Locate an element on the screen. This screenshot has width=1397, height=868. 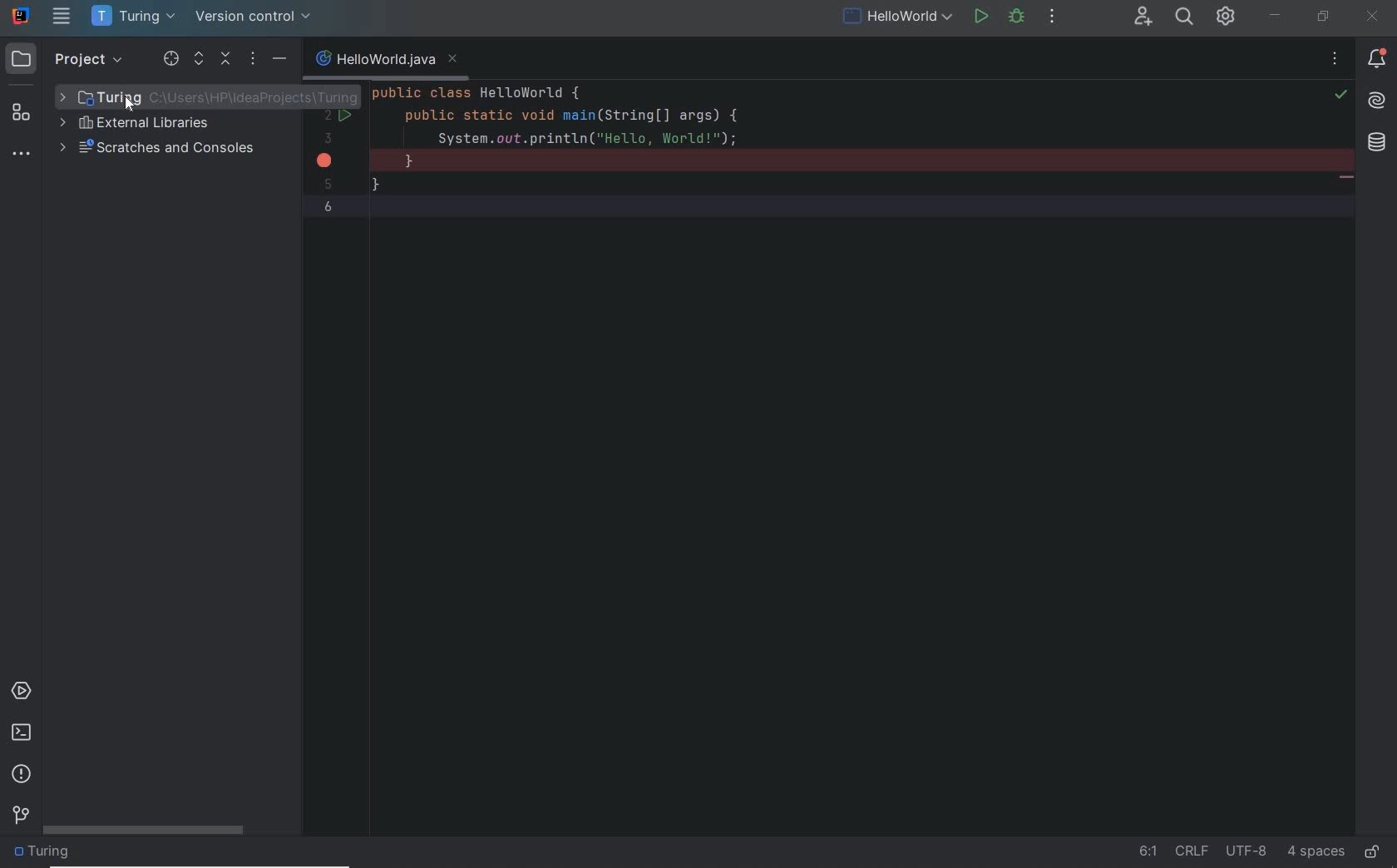
make file ready only is located at coordinates (1371, 852).